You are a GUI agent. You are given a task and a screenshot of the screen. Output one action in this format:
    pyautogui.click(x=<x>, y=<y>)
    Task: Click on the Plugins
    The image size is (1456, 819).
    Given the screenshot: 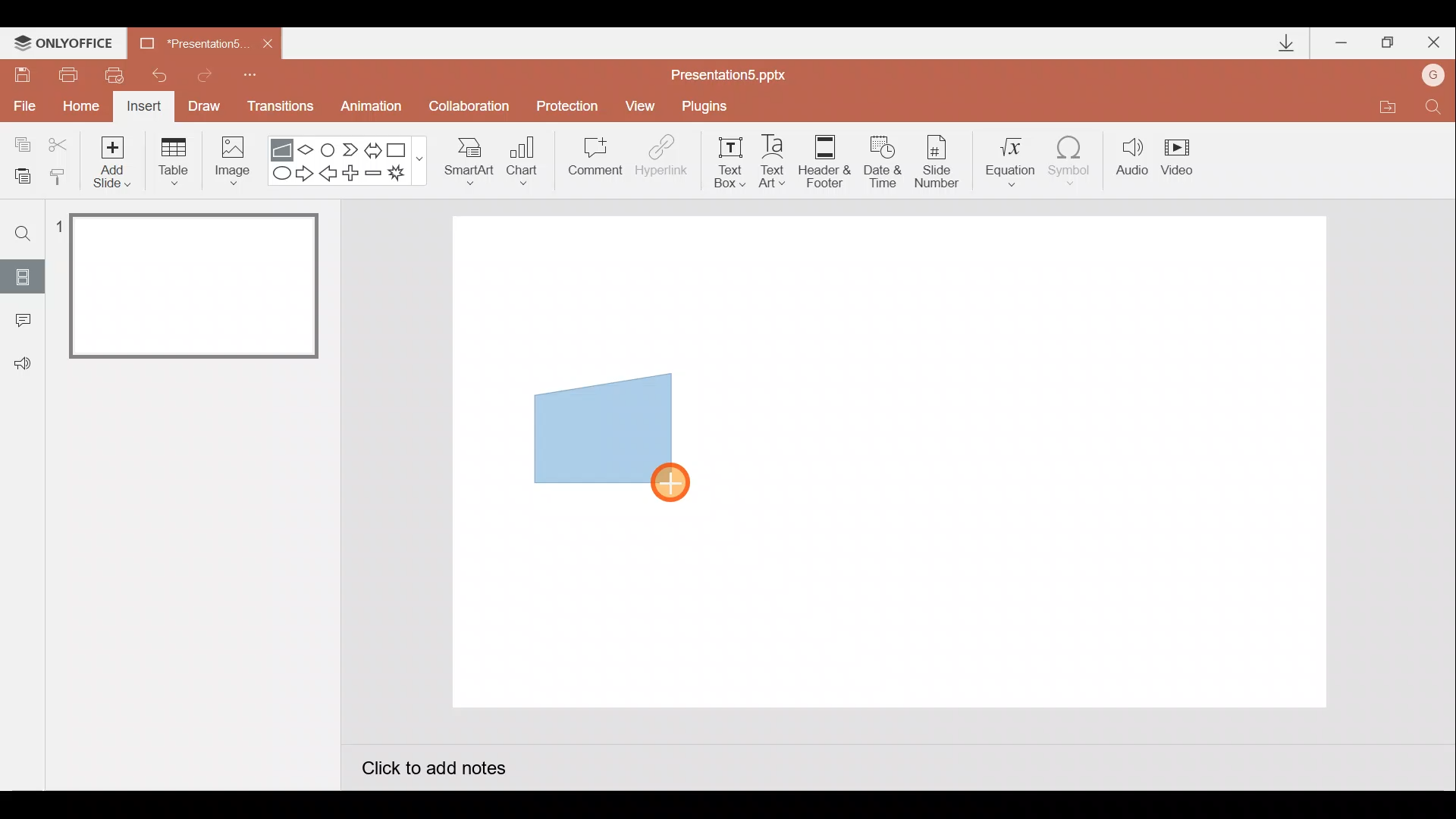 What is the action you would take?
    pyautogui.click(x=708, y=106)
    